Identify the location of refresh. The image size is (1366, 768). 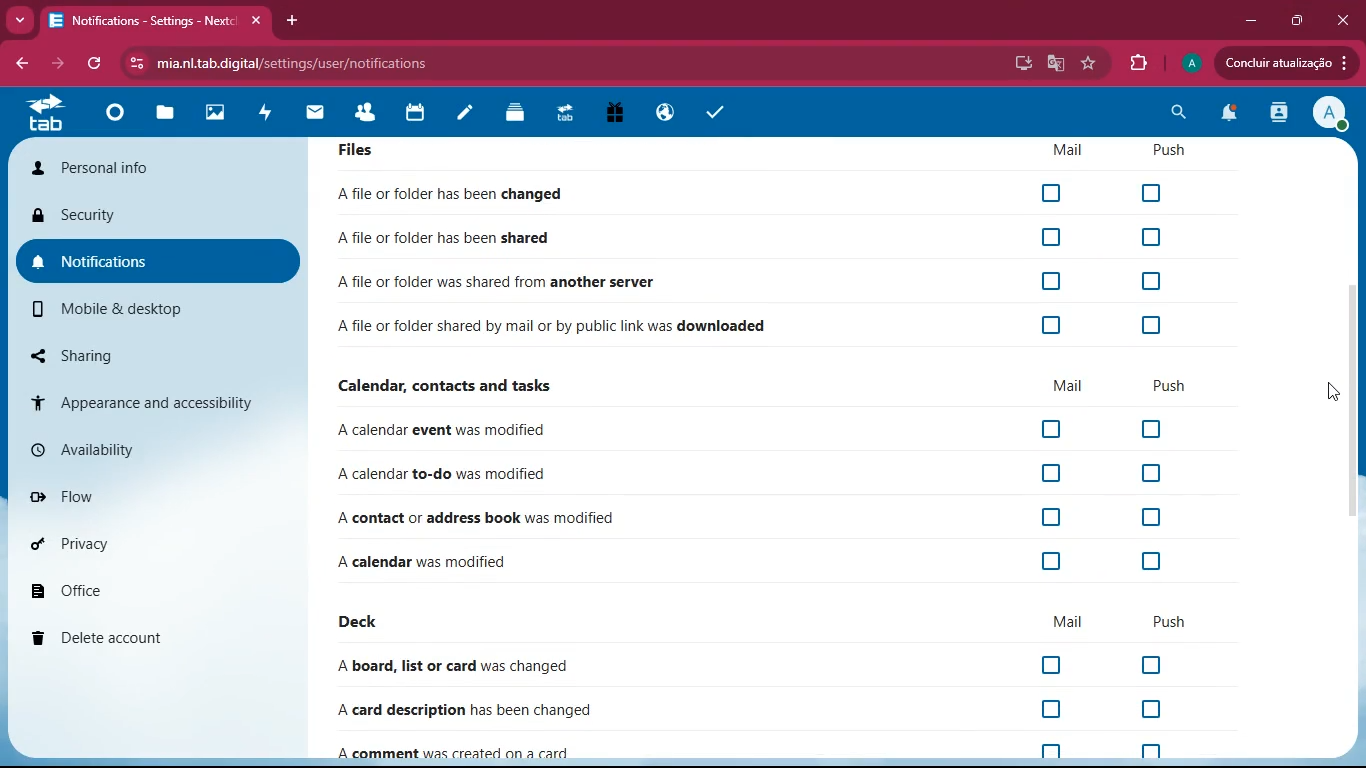
(98, 64).